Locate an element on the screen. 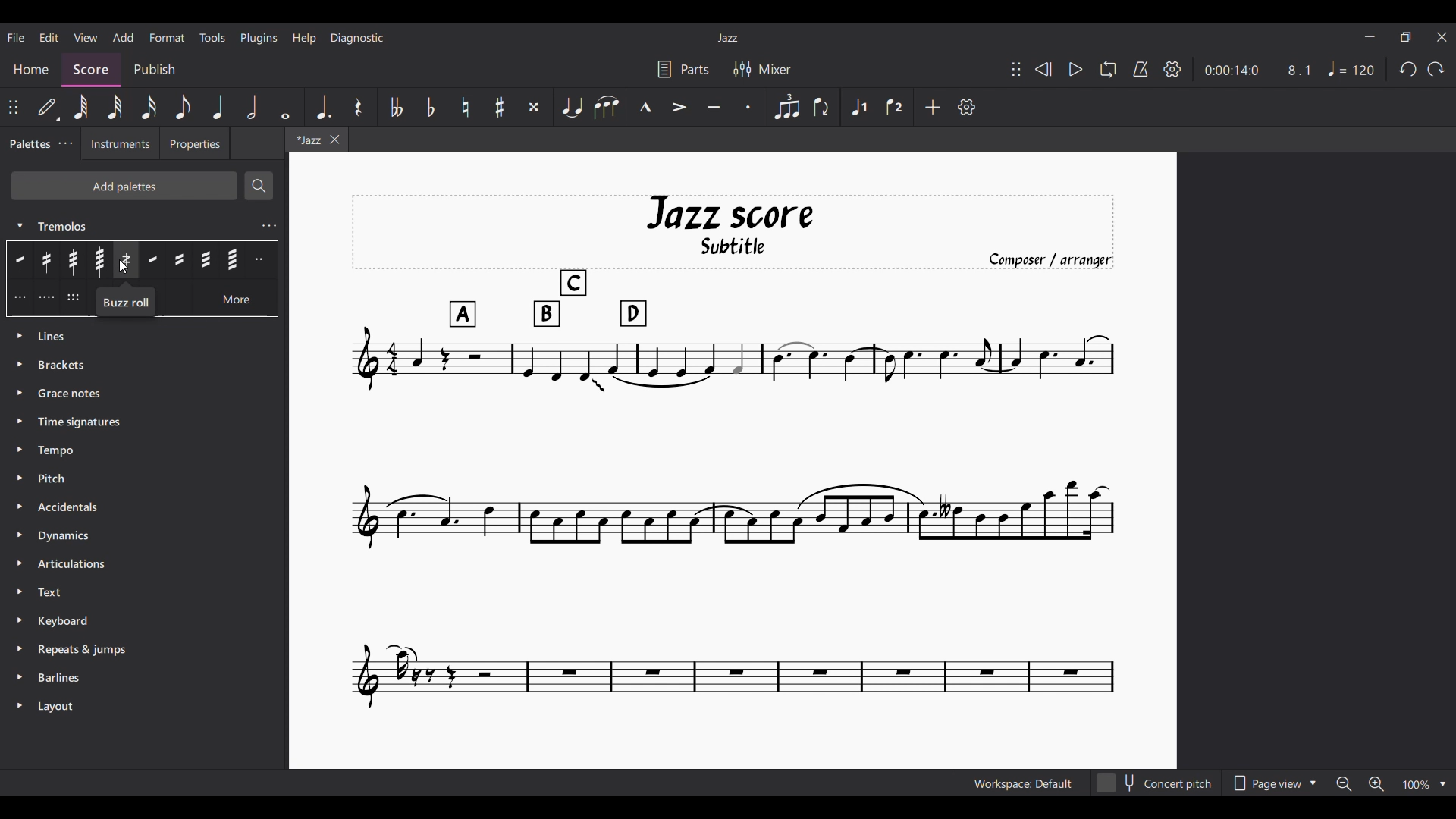  Toggle flat is located at coordinates (431, 107).